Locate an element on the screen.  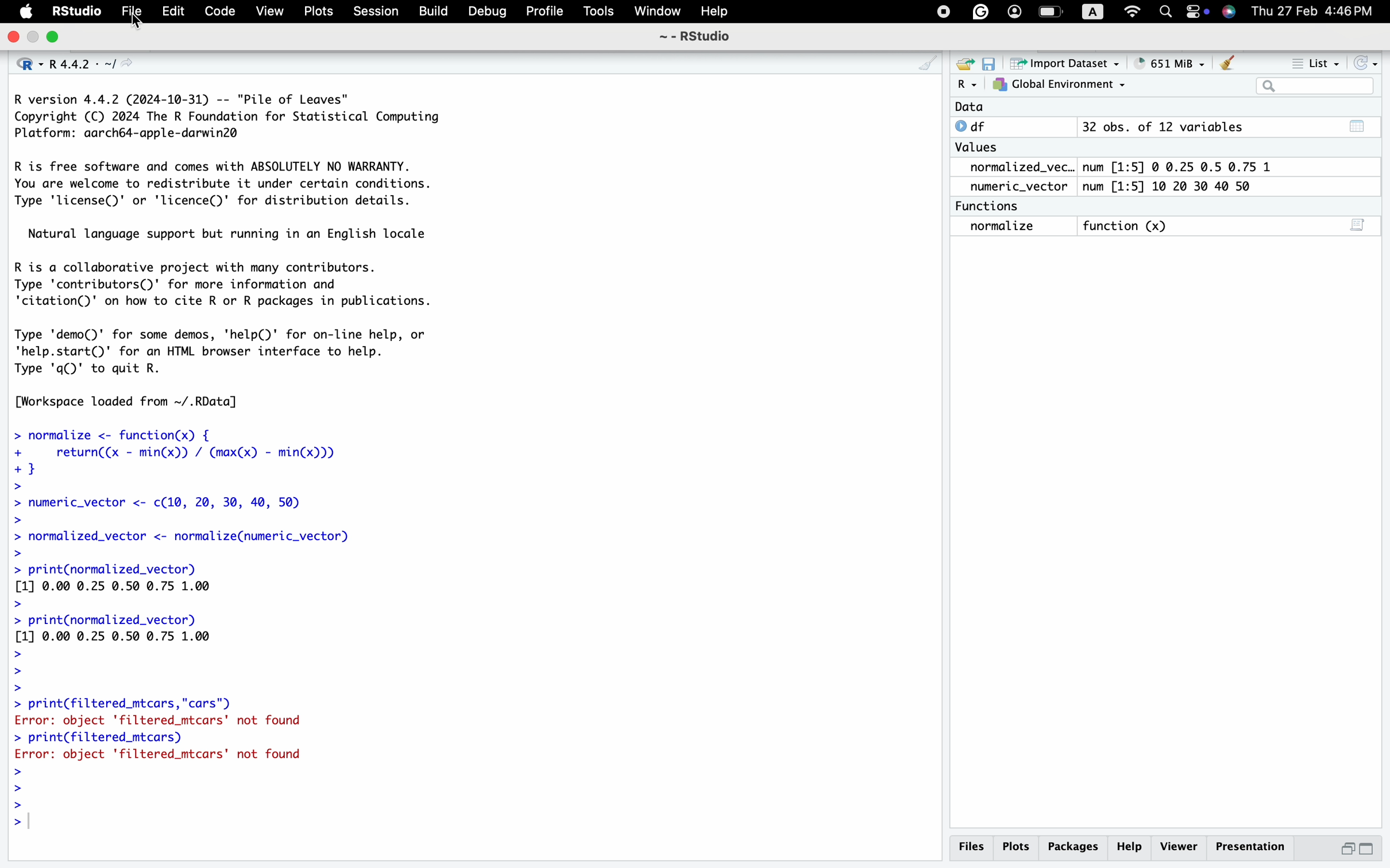
Debug is located at coordinates (485, 12).